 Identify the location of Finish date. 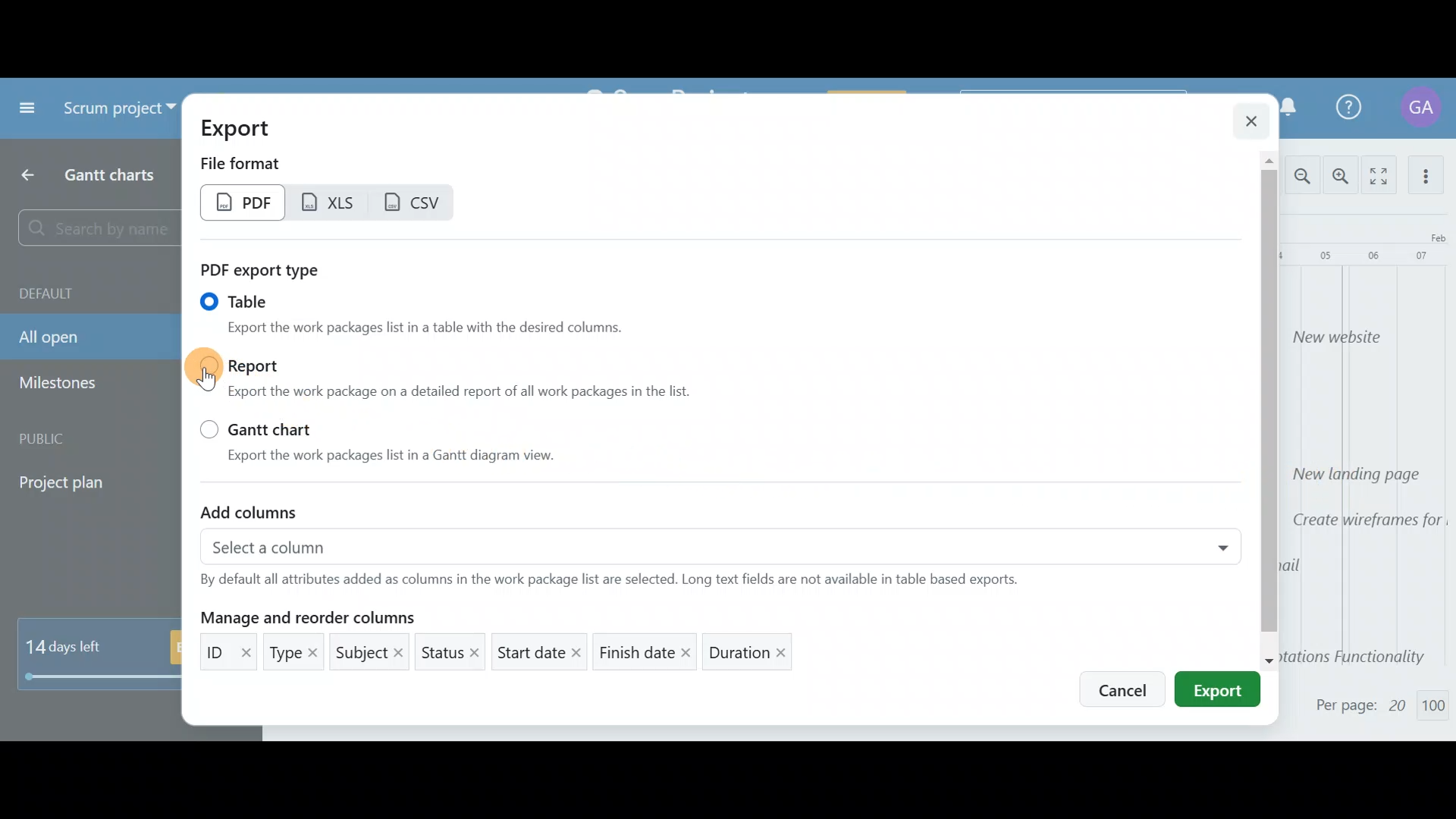
(642, 652).